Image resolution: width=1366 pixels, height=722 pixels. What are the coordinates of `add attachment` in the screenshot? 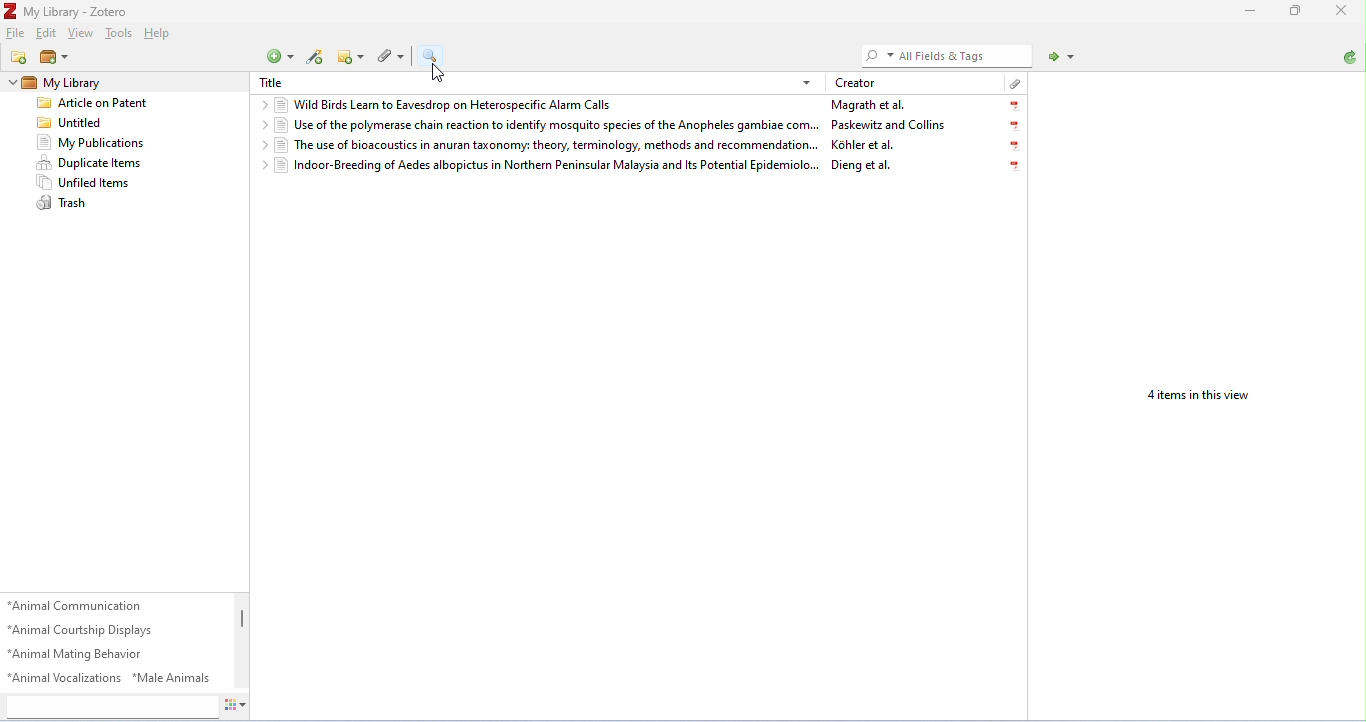 It's located at (392, 57).